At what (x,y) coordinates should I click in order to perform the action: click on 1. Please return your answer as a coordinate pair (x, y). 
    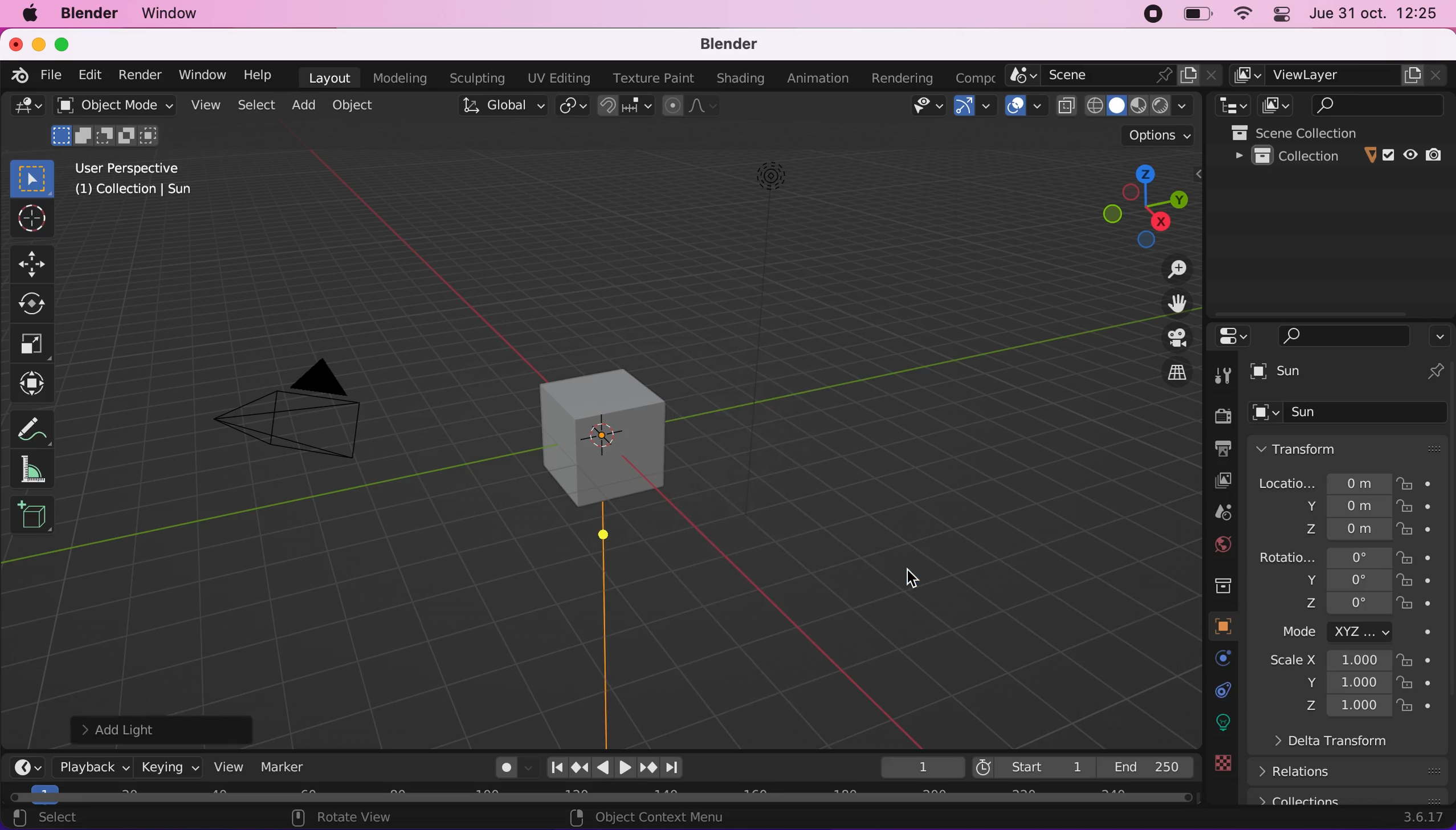
    Looking at the image, I should click on (915, 766).